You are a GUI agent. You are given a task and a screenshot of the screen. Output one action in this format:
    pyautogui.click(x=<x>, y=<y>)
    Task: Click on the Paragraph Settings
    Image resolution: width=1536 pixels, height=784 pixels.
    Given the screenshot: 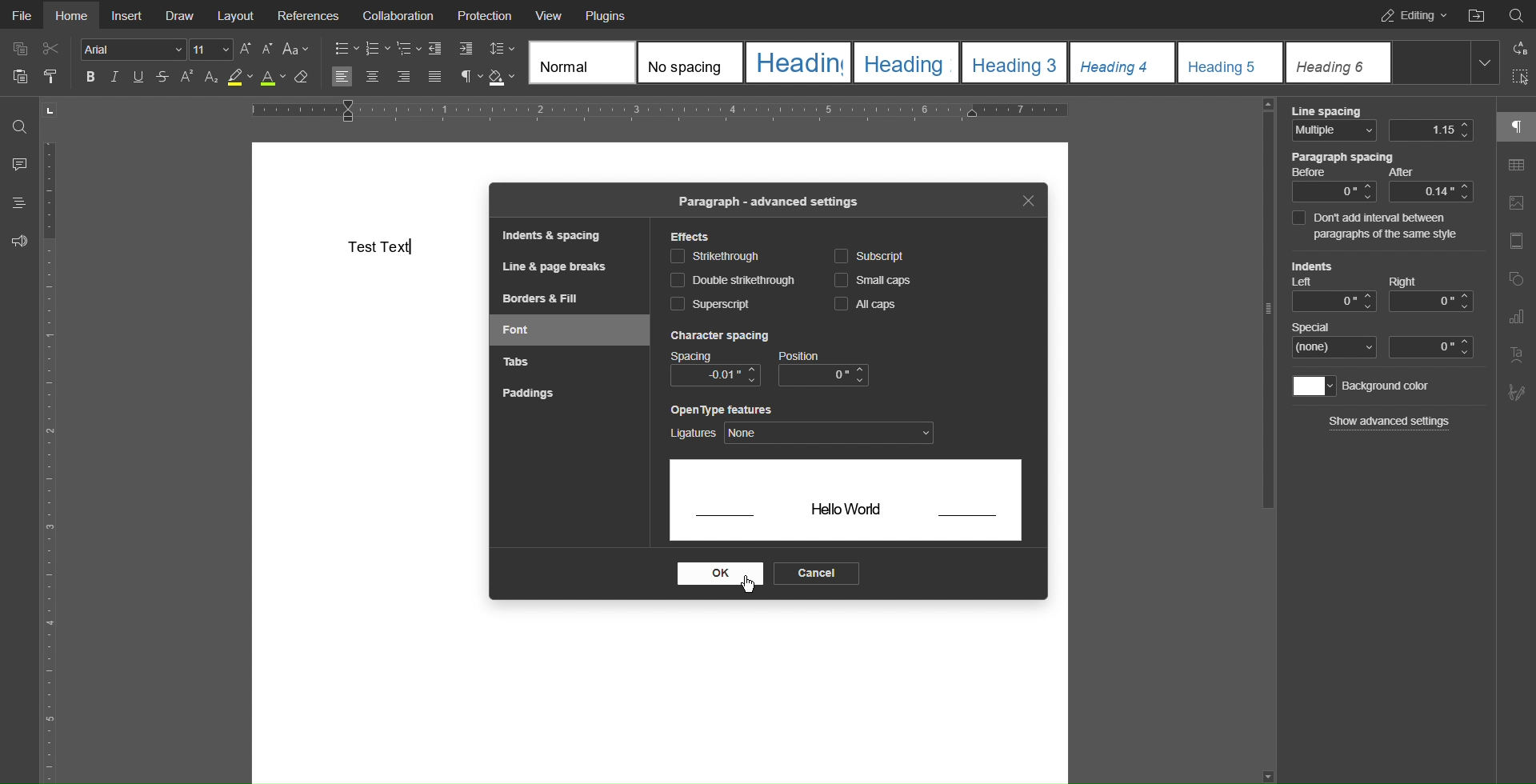 What is the action you would take?
    pyautogui.click(x=1516, y=126)
    